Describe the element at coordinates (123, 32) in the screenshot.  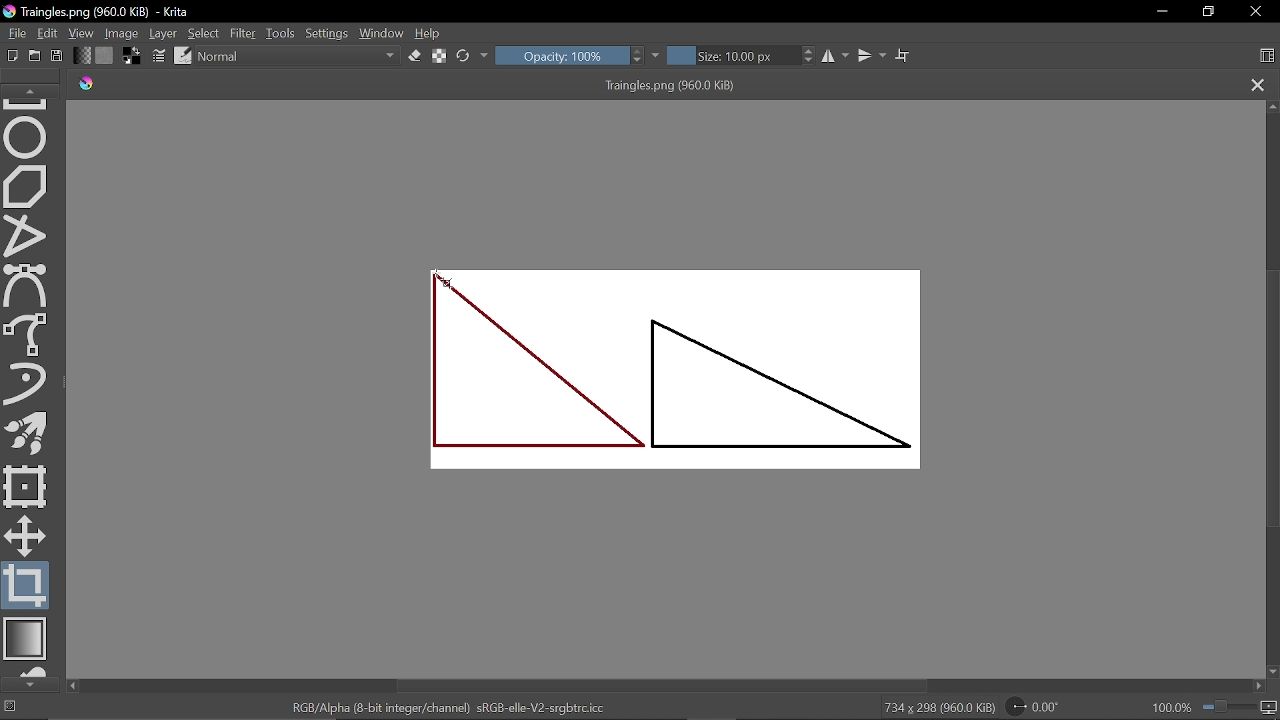
I see `Image` at that location.